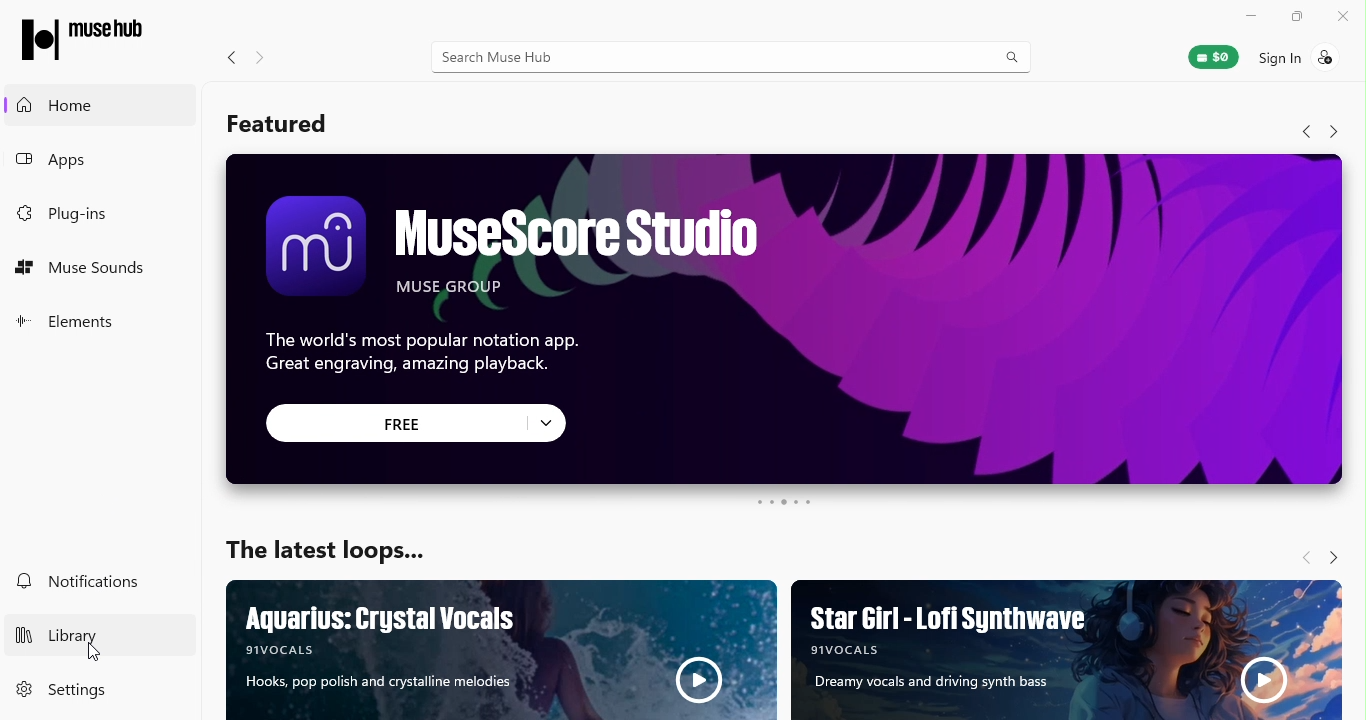 This screenshot has height=720, width=1366. I want to click on Navigate back, so click(1309, 558).